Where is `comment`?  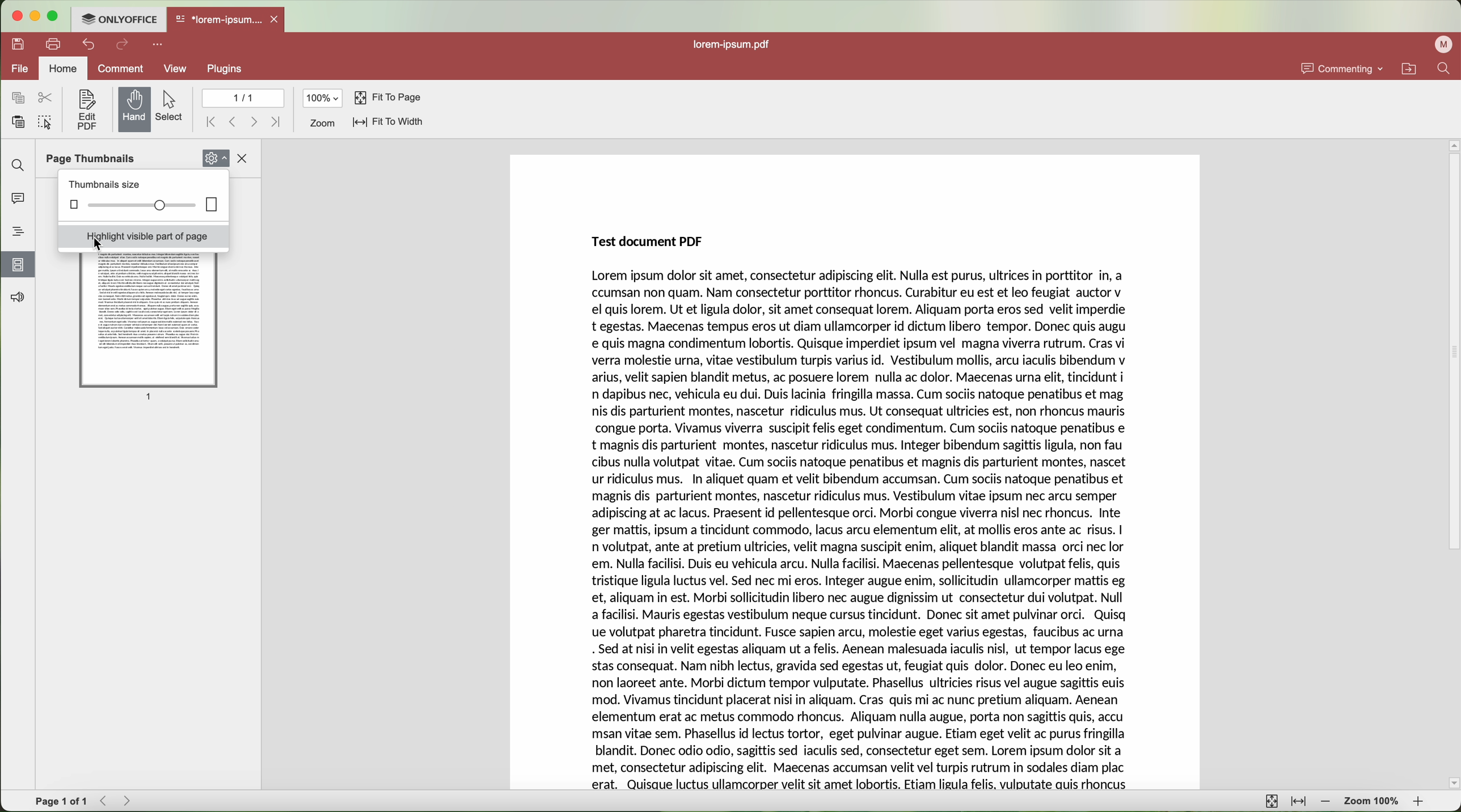
comment is located at coordinates (123, 69).